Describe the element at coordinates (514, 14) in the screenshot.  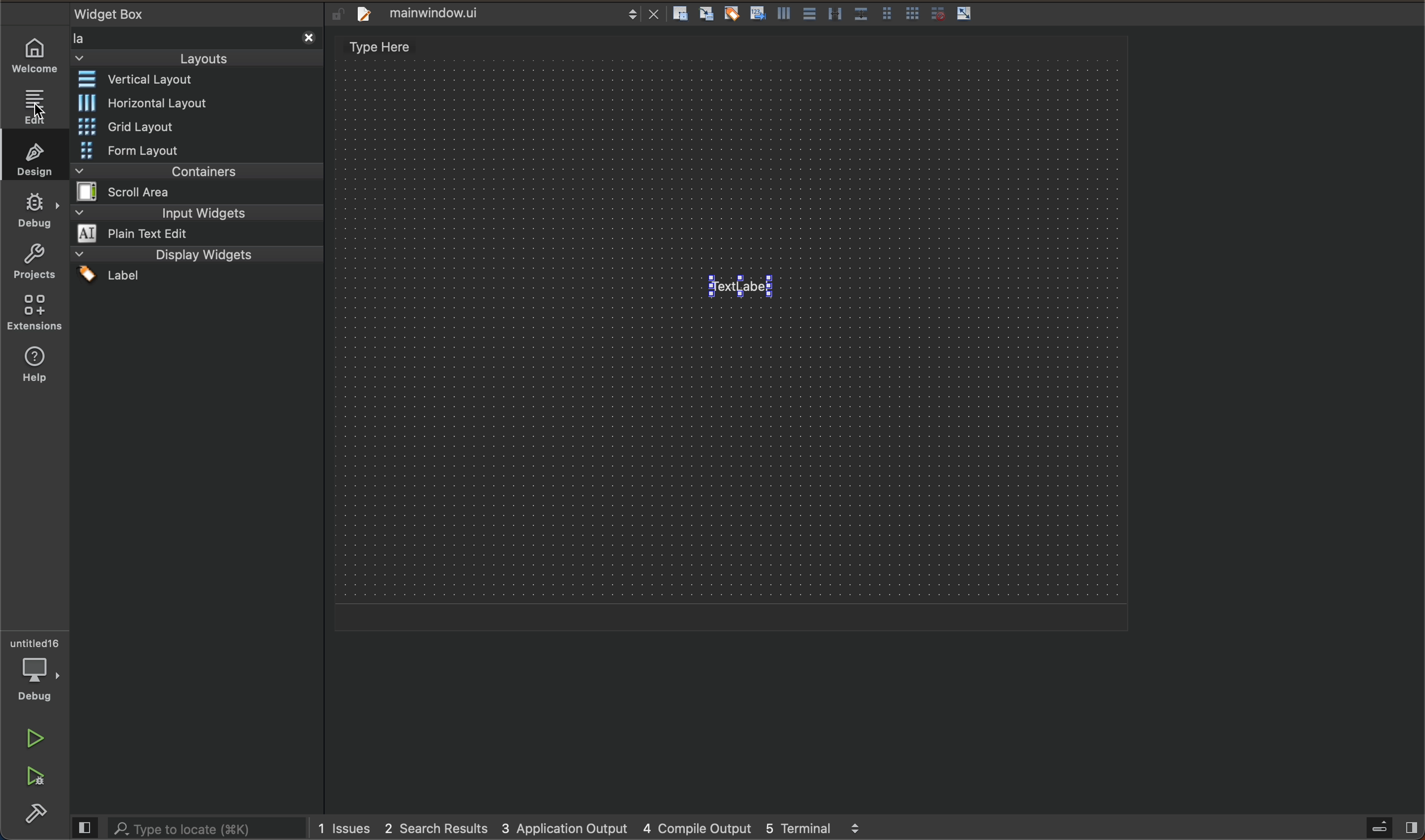
I see `mainwindow.ui` at that location.